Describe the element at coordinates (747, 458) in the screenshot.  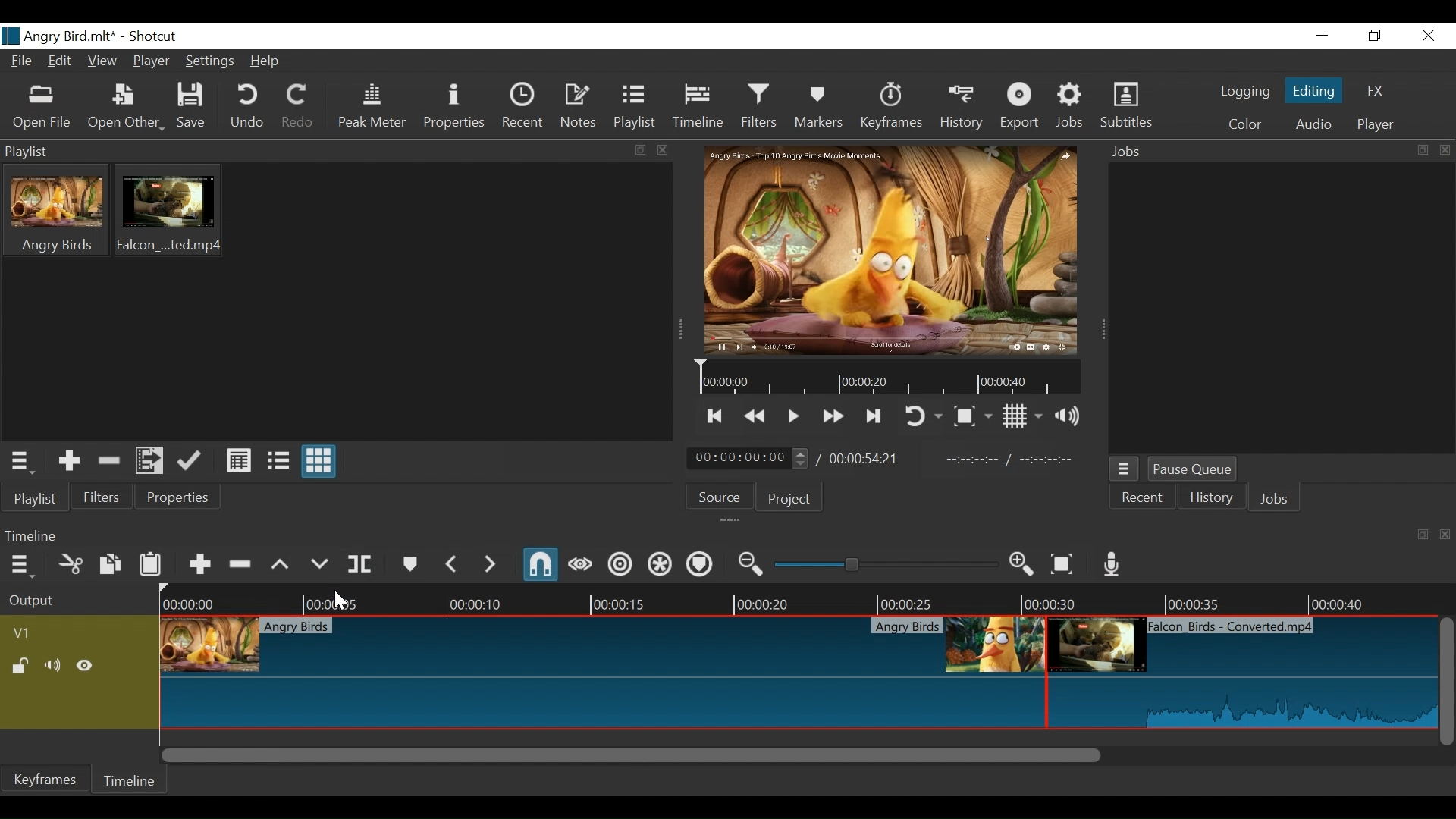
I see `Current position` at that location.